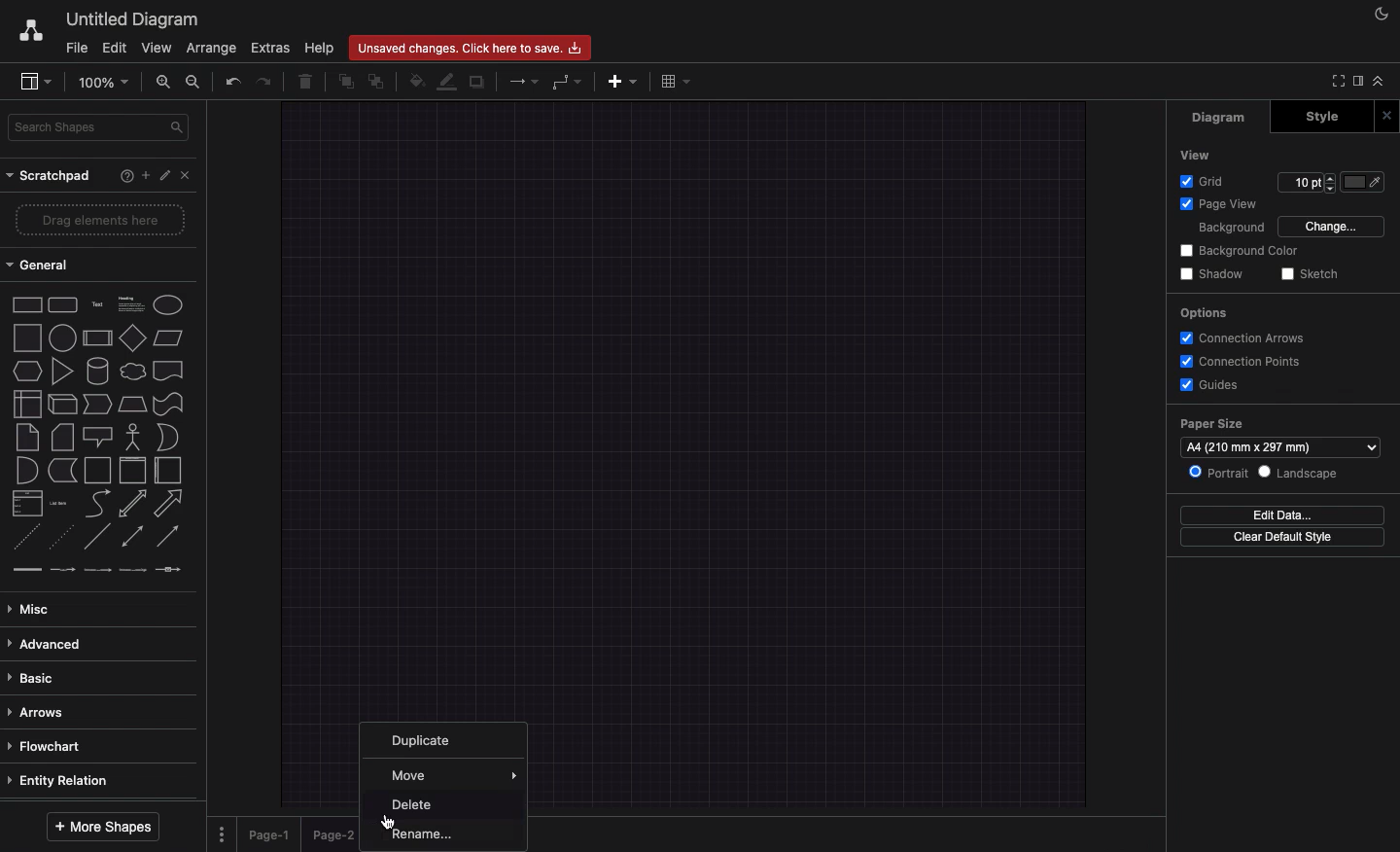  What do you see at coordinates (1337, 80) in the screenshot?
I see `Fullscreen` at bounding box center [1337, 80].